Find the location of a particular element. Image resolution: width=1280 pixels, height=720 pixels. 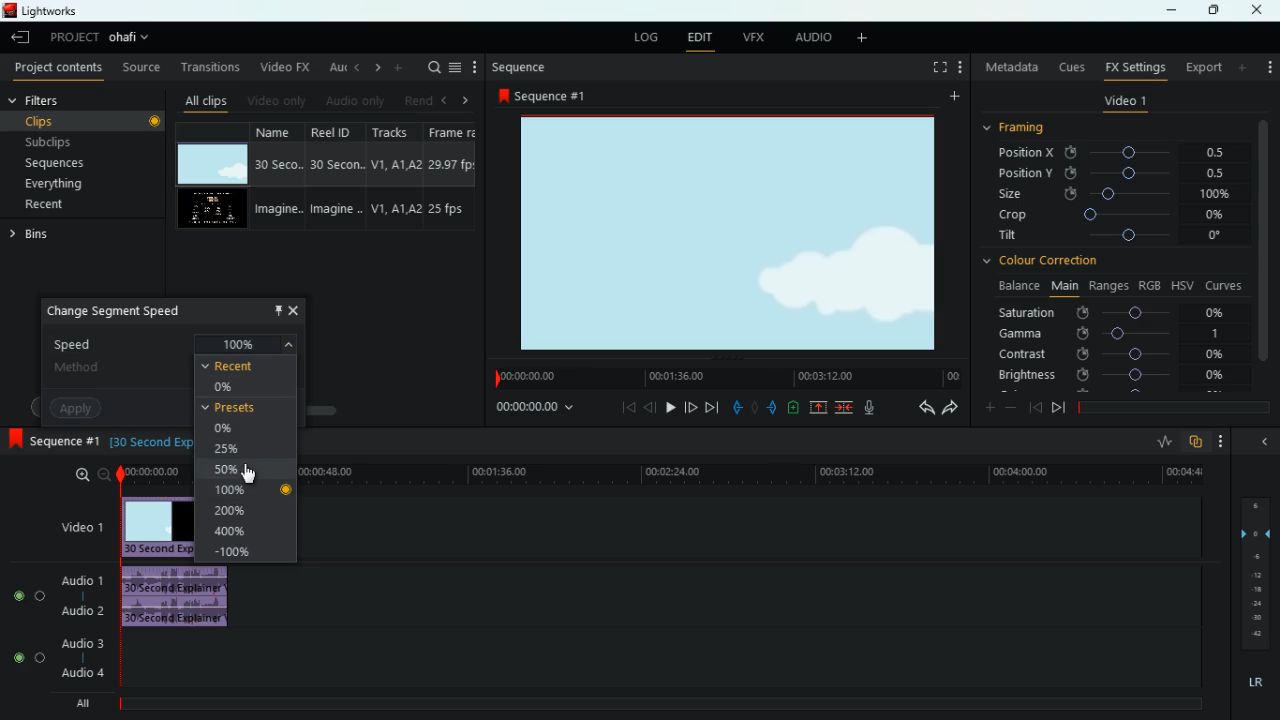

audio 2 is located at coordinates (81, 610).